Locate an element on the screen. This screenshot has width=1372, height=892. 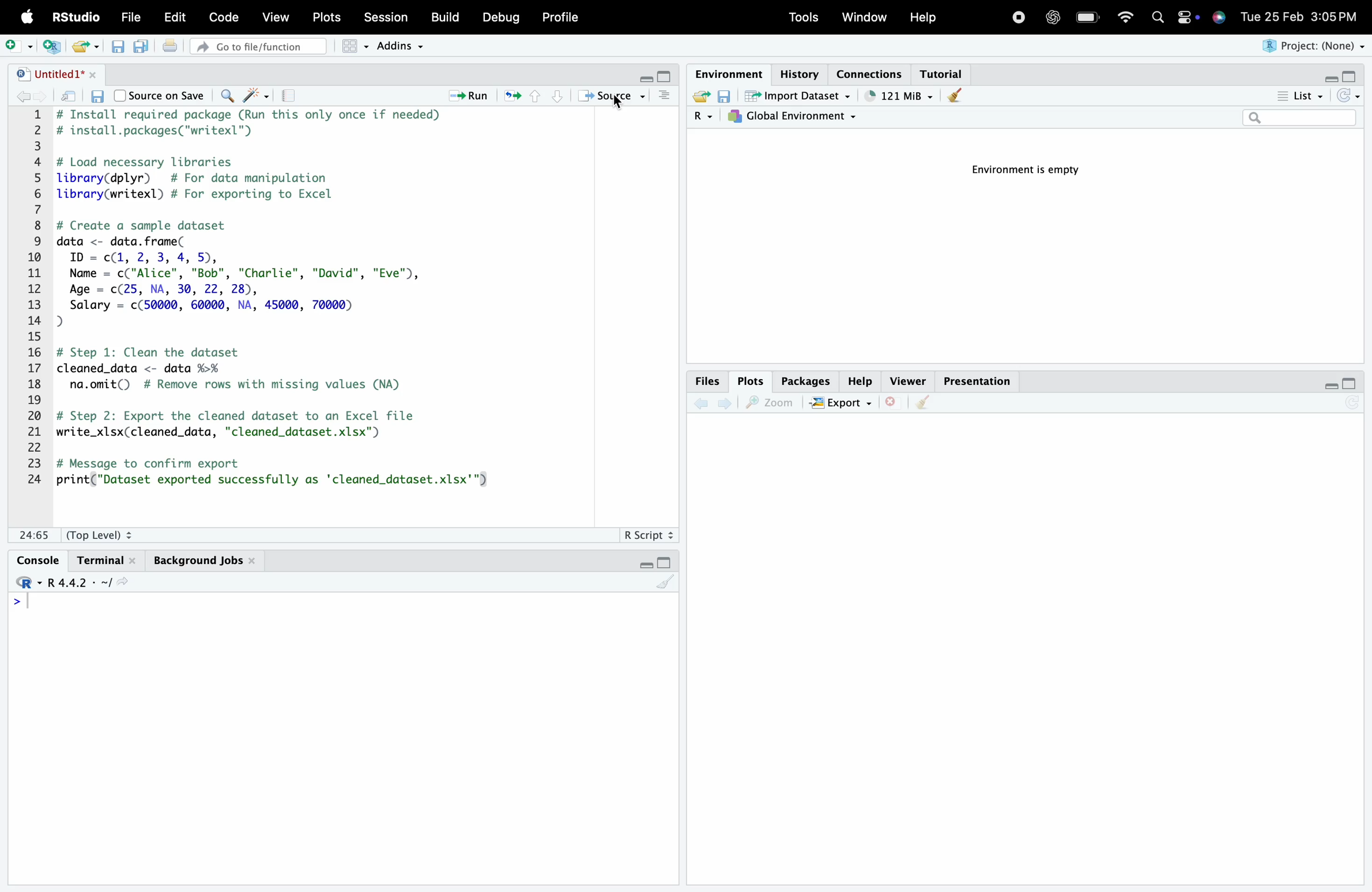
Build is located at coordinates (444, 18).